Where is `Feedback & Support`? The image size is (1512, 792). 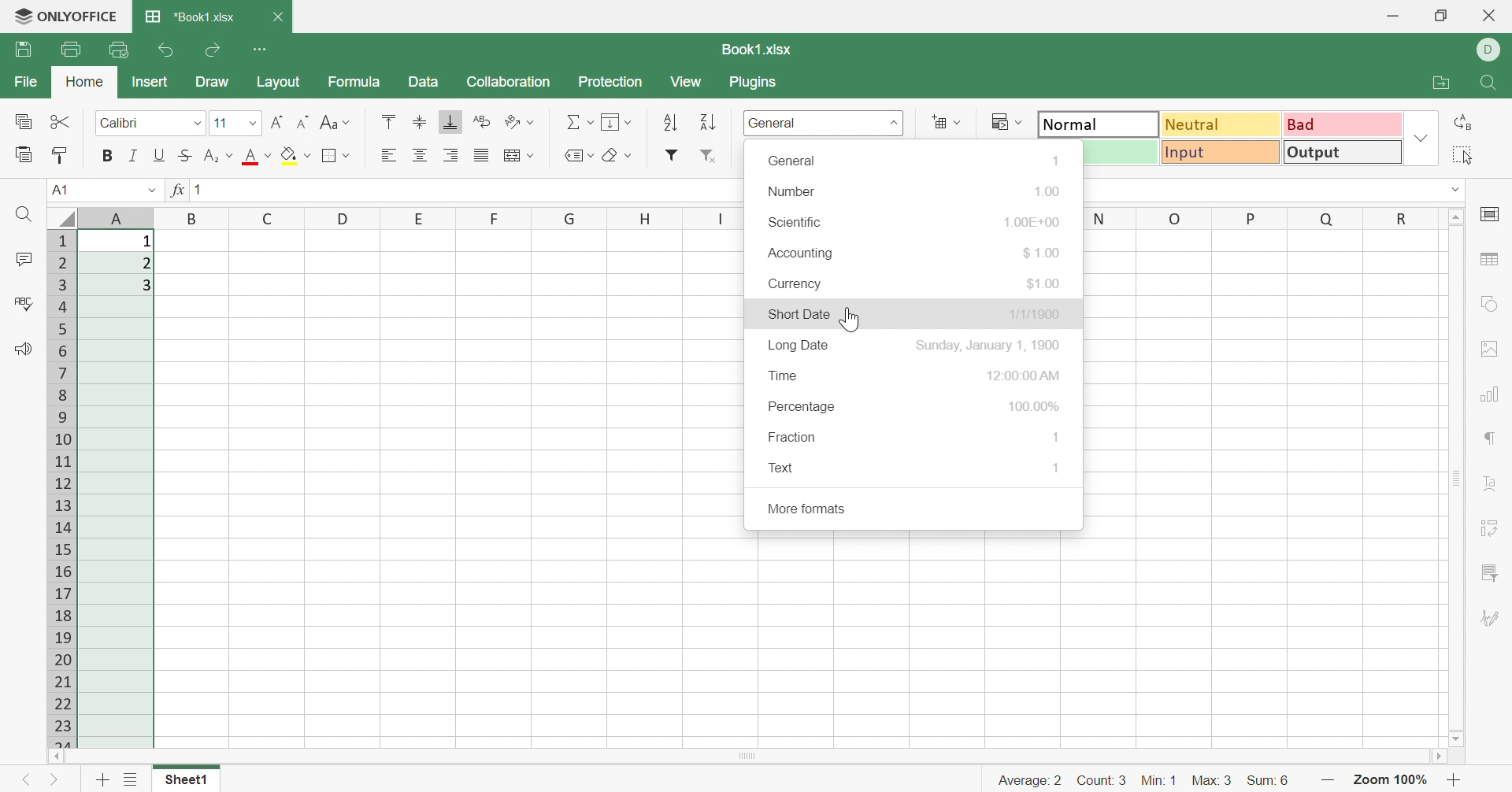 Feedback & Support is located at coordinates (22, 349).